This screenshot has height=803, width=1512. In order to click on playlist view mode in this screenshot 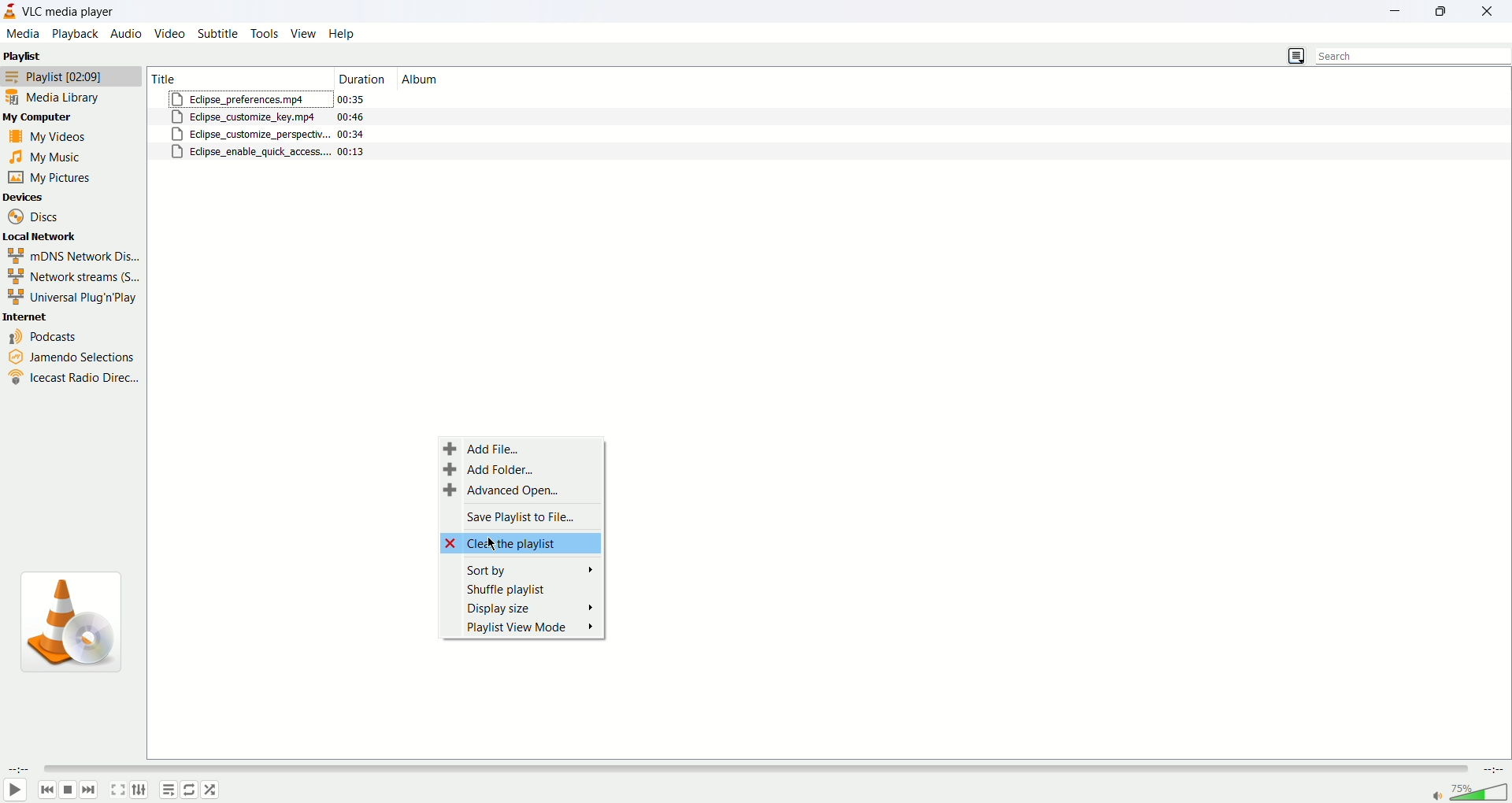, I will do `click(528, 629)`.